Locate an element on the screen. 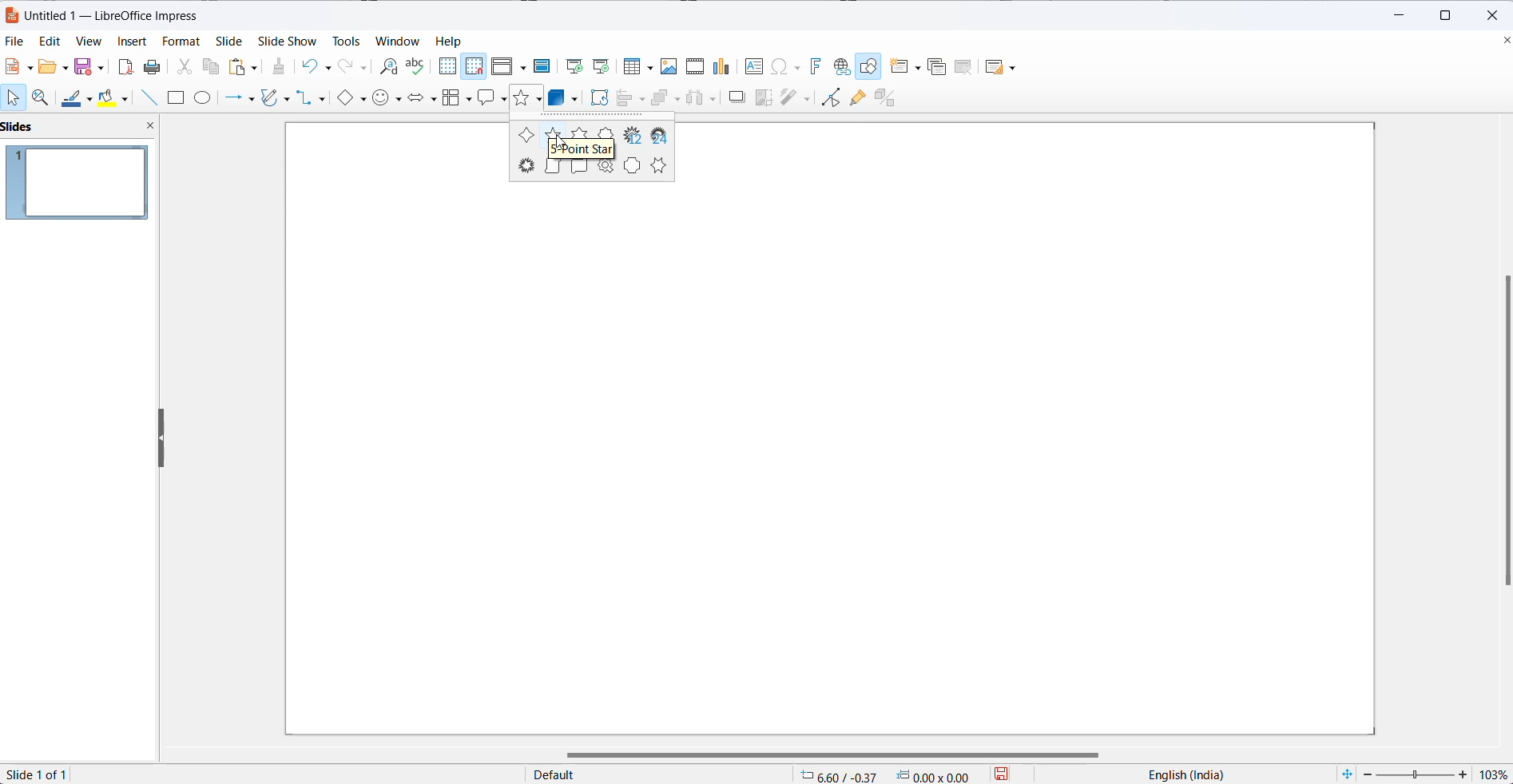 This screenshot has height=784, width=1513. paste options is located at coordinates (244, 66).